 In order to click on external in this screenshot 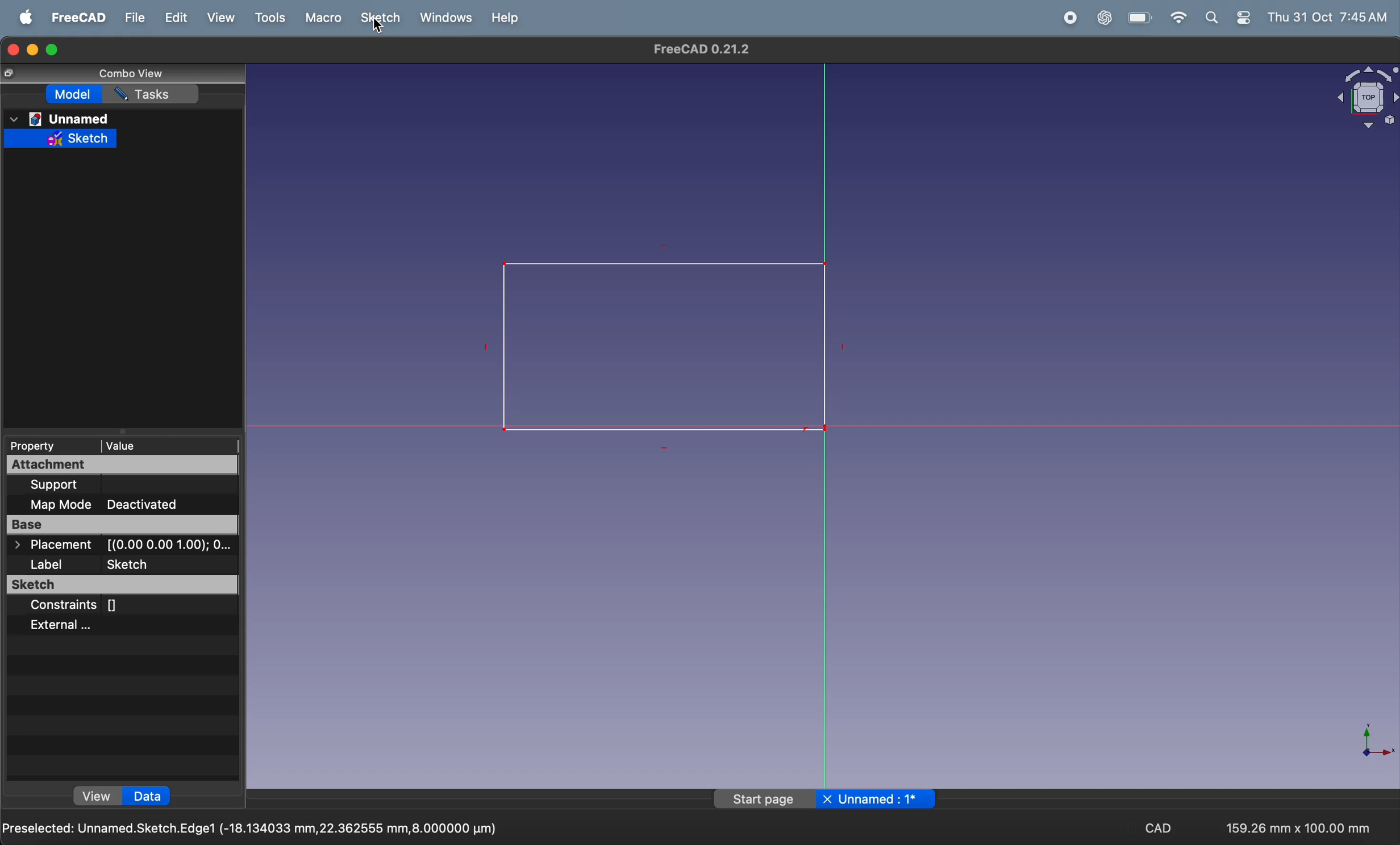, I will do `click(111, 626)`.